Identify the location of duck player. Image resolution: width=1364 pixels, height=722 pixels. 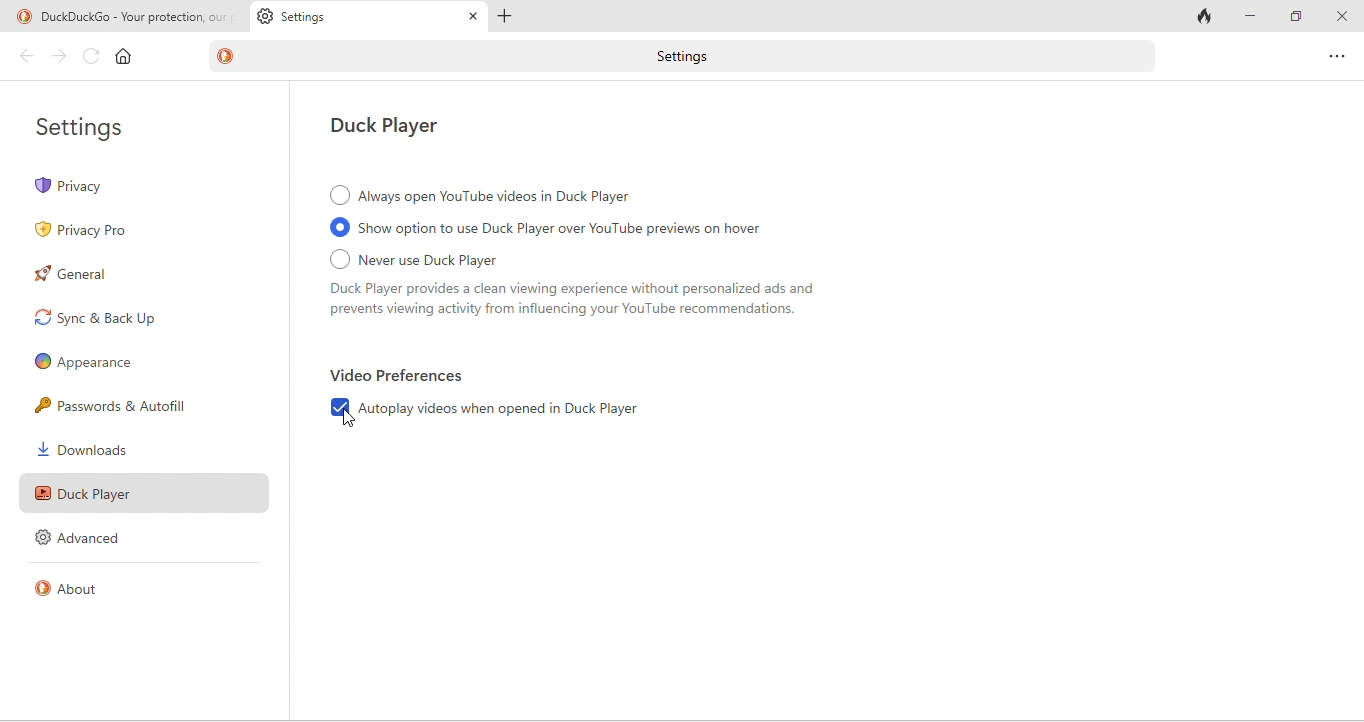
(141, 490).